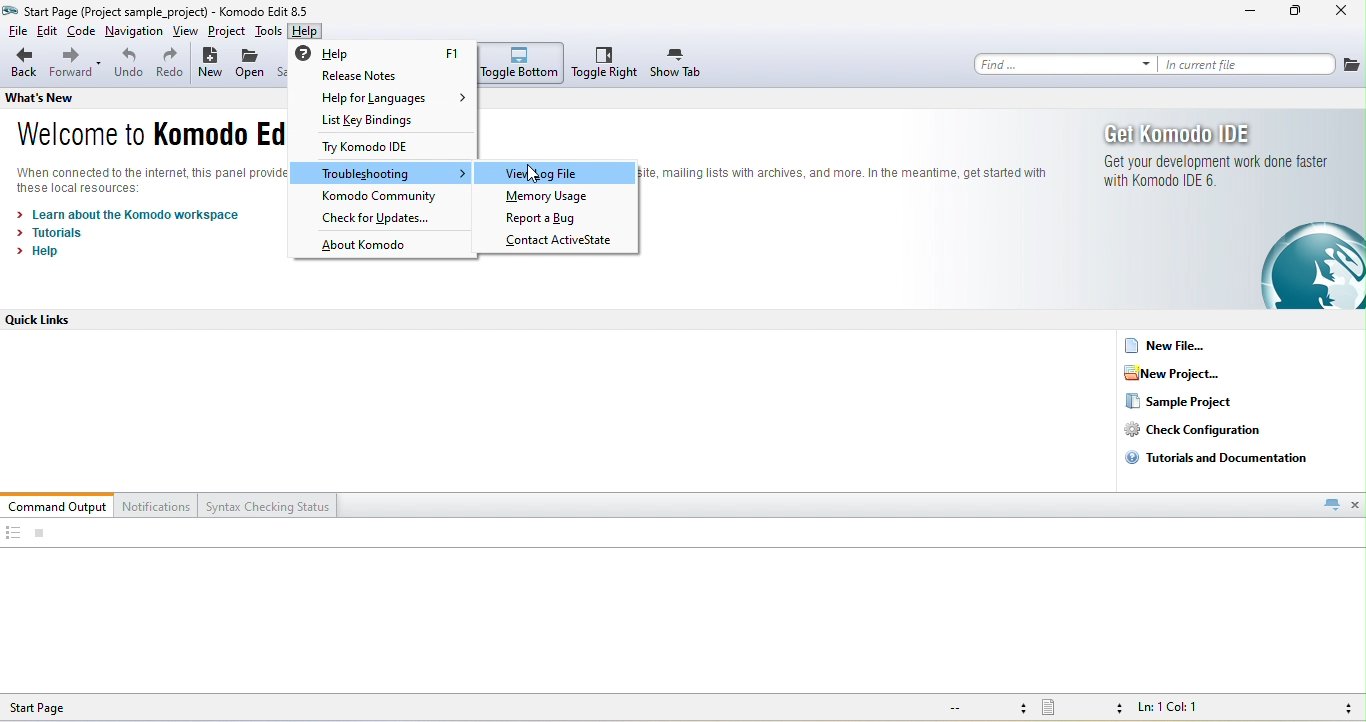 Image resolution: width=1366 pixels, height=722 pixels. I want to click on view, so click(187, 32).